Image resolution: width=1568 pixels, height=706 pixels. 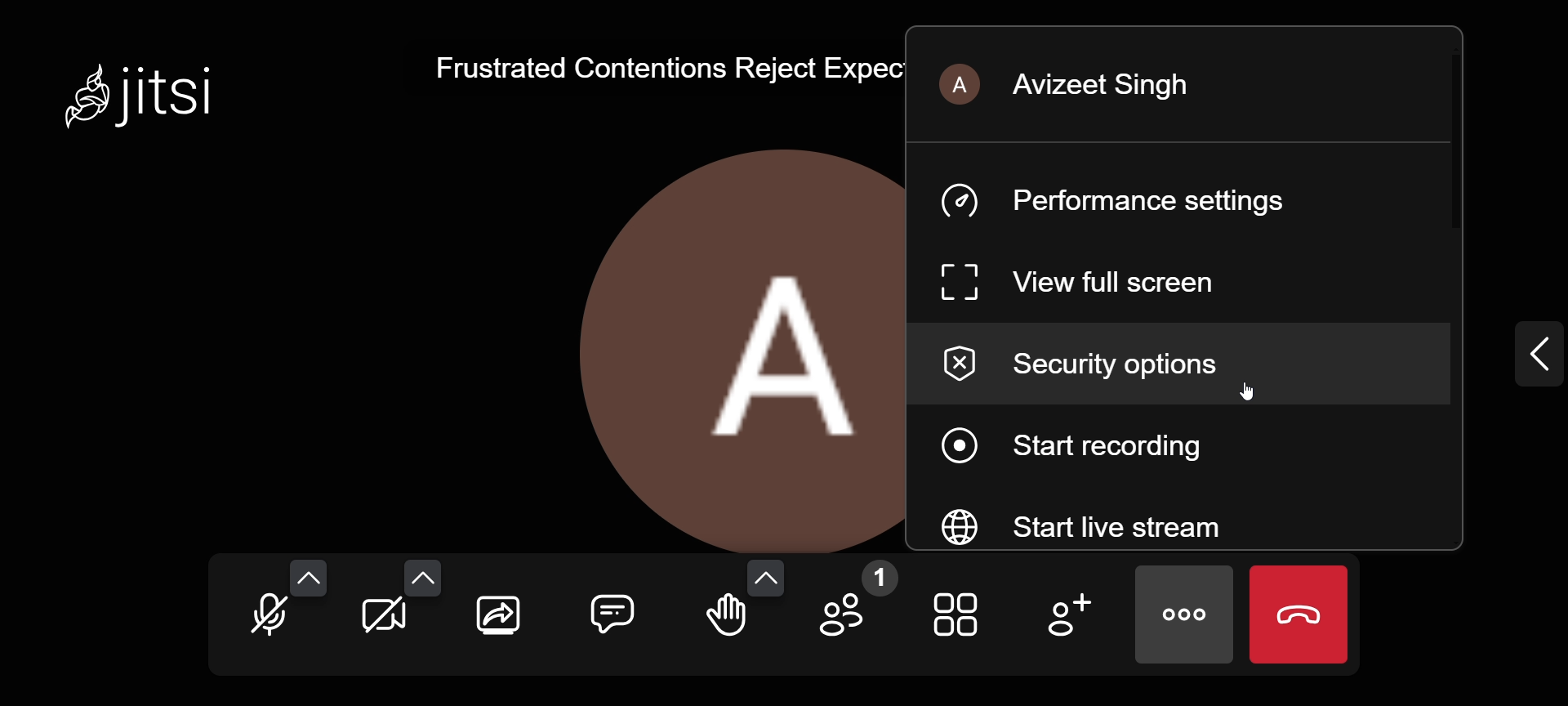 What do you see at coordinates (268, 614) in the screenshot?
I see `unmute mic` at bounding box center [268, 614].